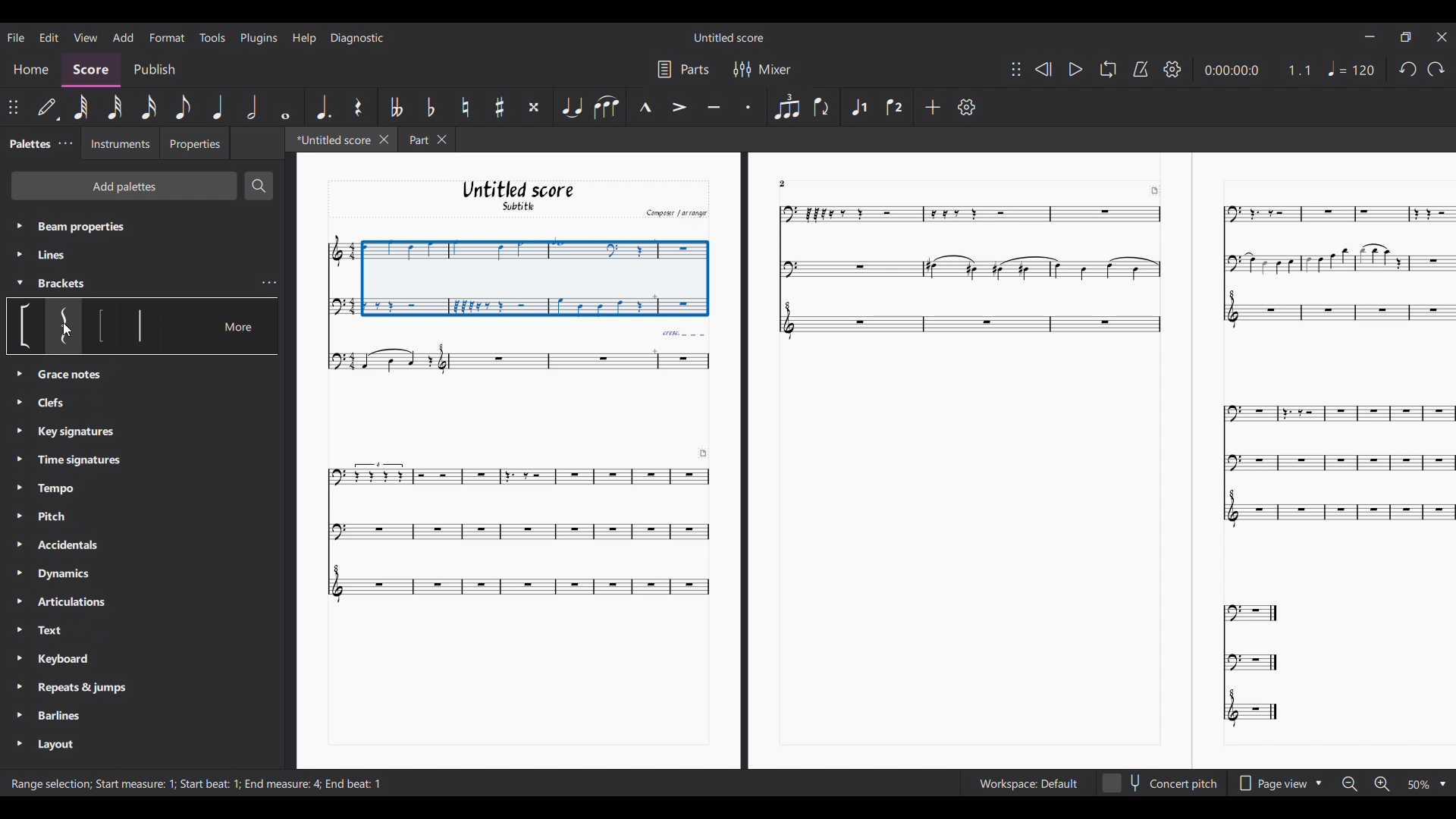  What do you see at coordinates (16, 485) in the screenshot?
I see `` at bounding box center [16, 485].